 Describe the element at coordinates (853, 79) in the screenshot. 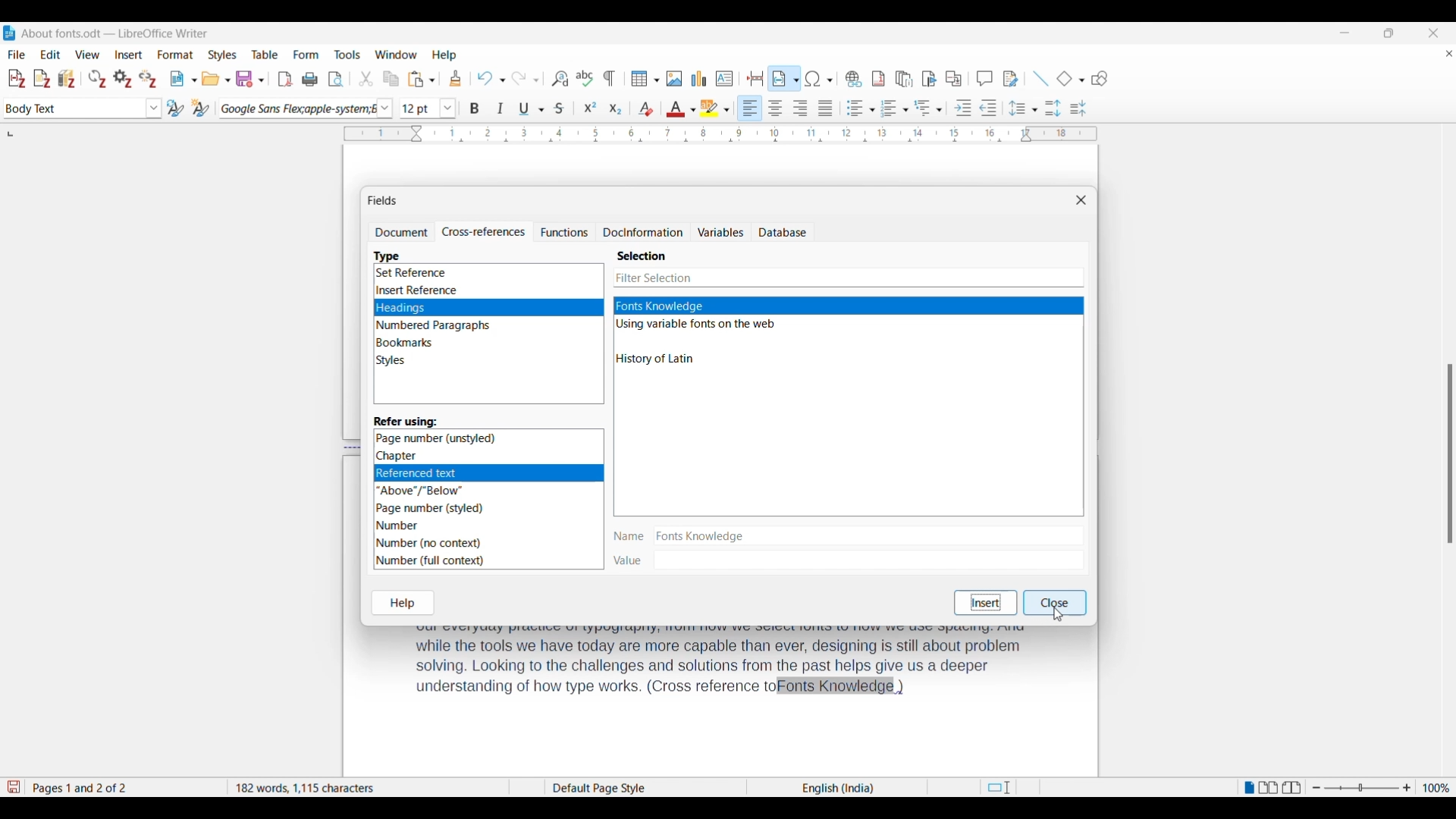

I see `Insert hyperlink` at that location.